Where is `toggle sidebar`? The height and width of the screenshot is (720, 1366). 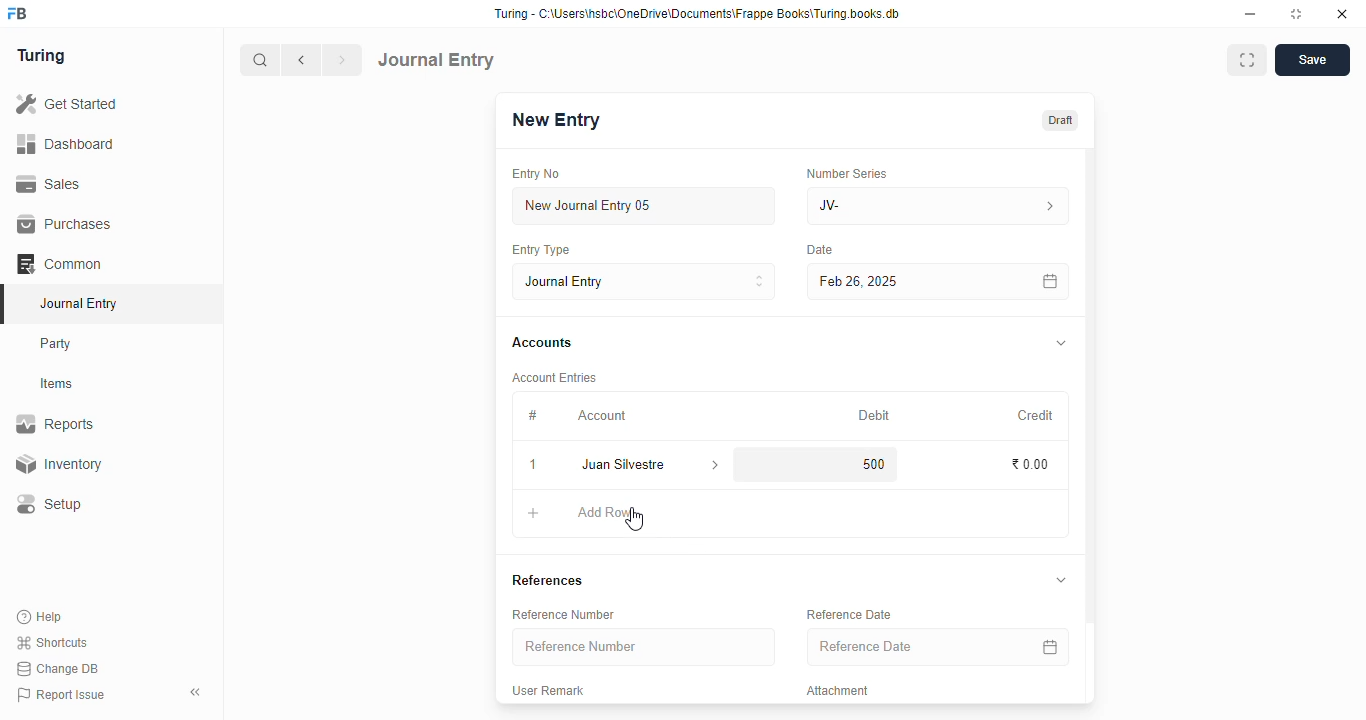 toggle sidebar is located at coordinates (197, 692).